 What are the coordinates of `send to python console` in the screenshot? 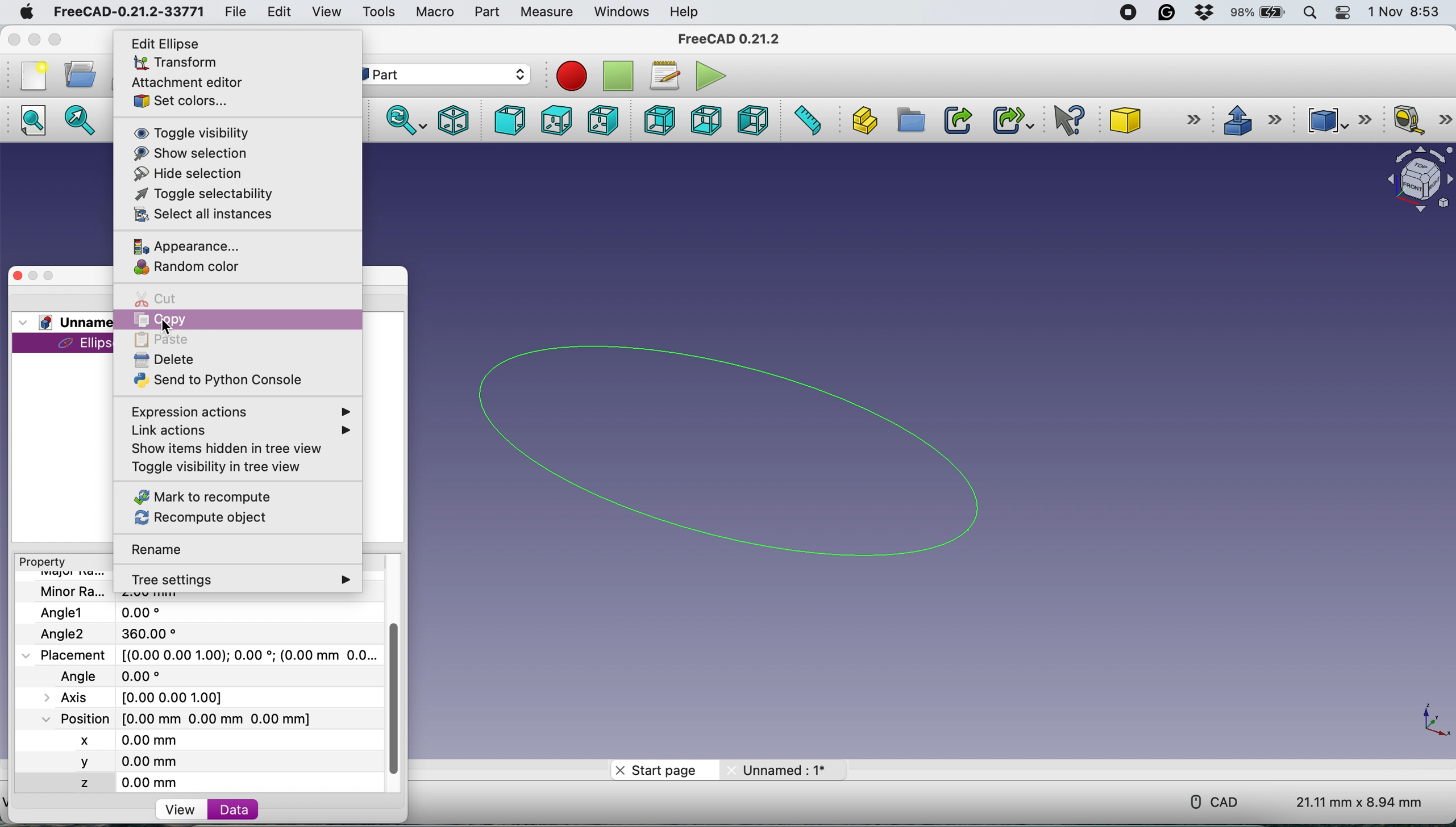 It's located at (219, 383).